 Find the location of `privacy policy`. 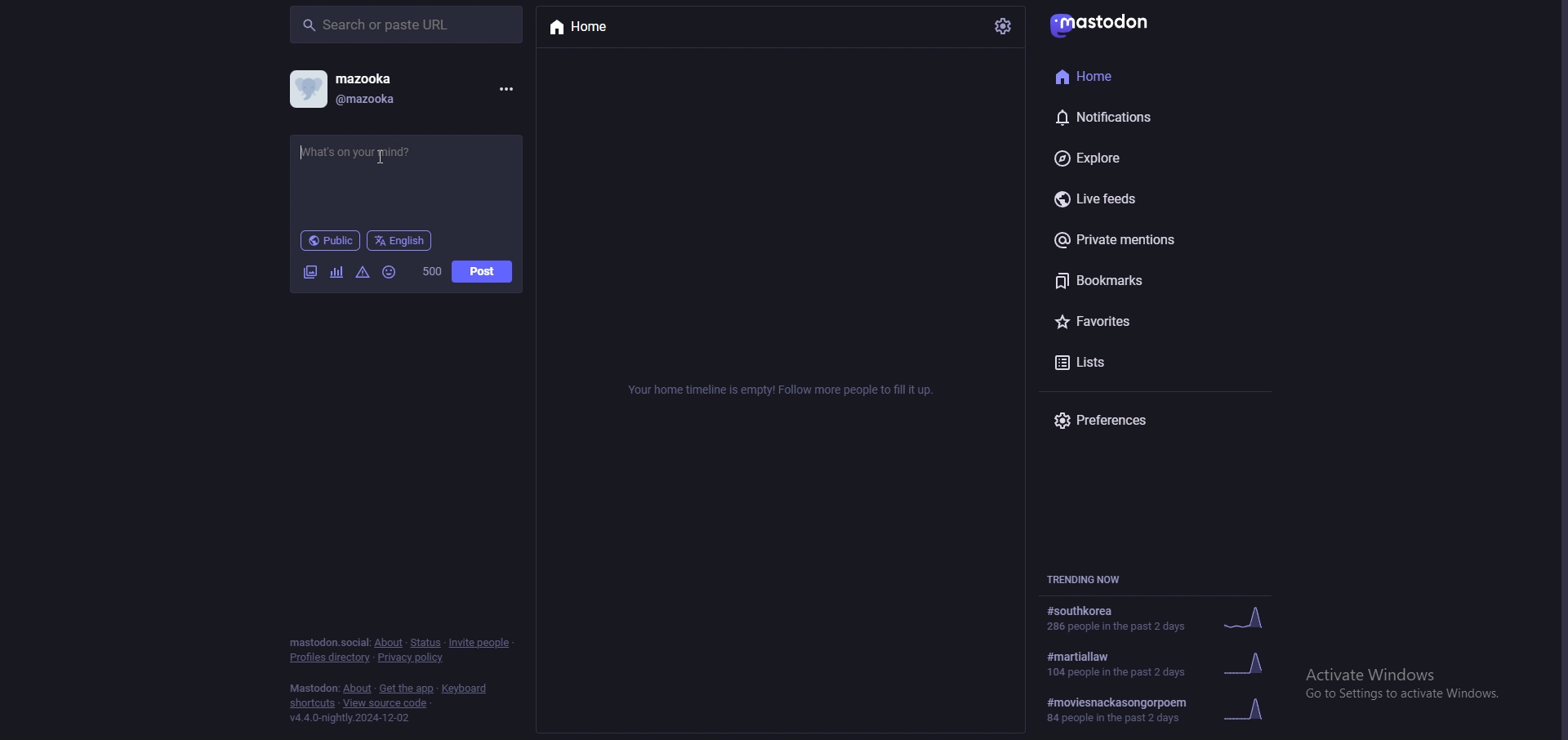

privacy policy is located at coordinates (410, 658).